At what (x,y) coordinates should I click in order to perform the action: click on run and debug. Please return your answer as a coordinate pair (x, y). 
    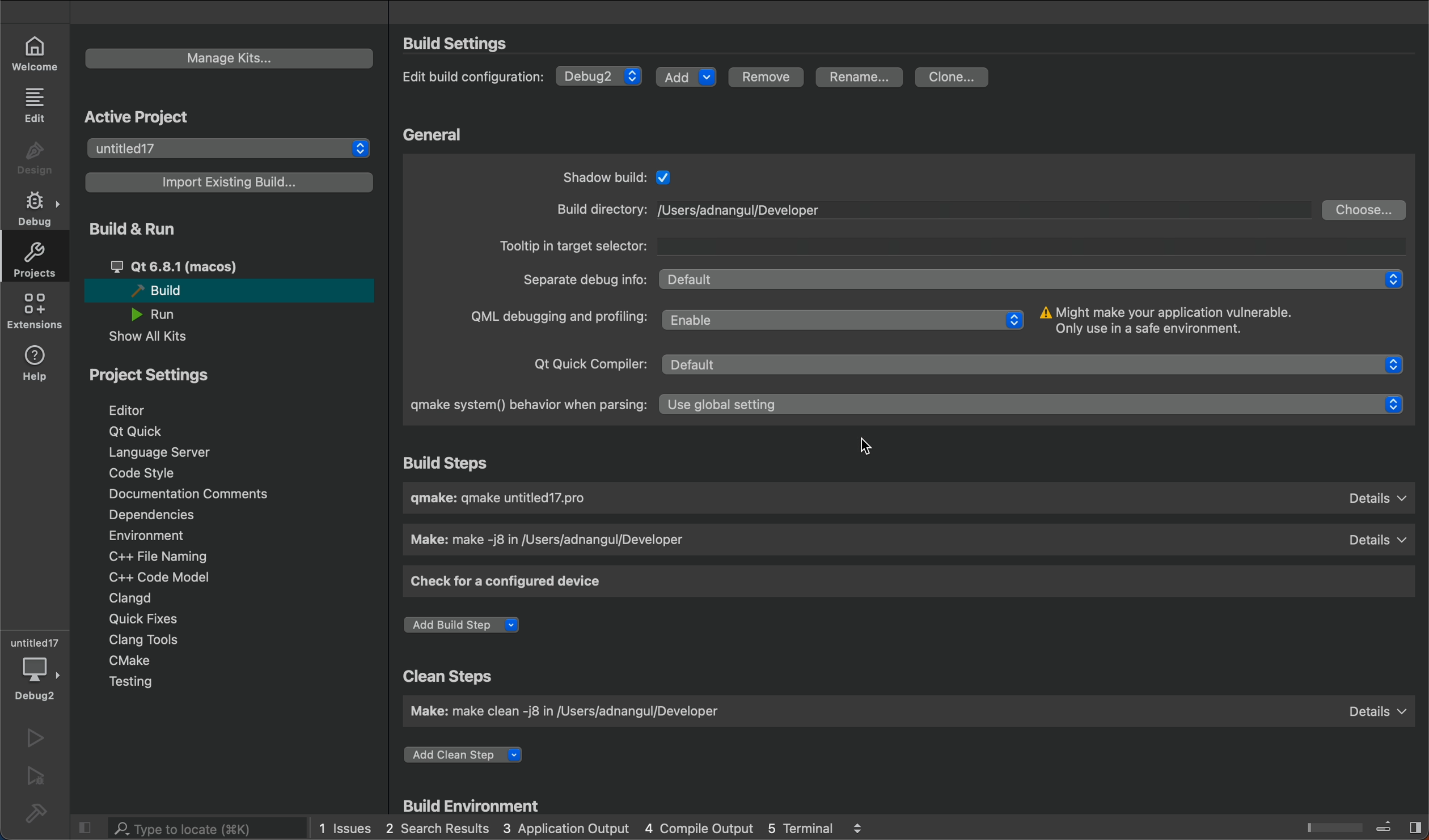
    Looking at the image, I should click on (36, 775).